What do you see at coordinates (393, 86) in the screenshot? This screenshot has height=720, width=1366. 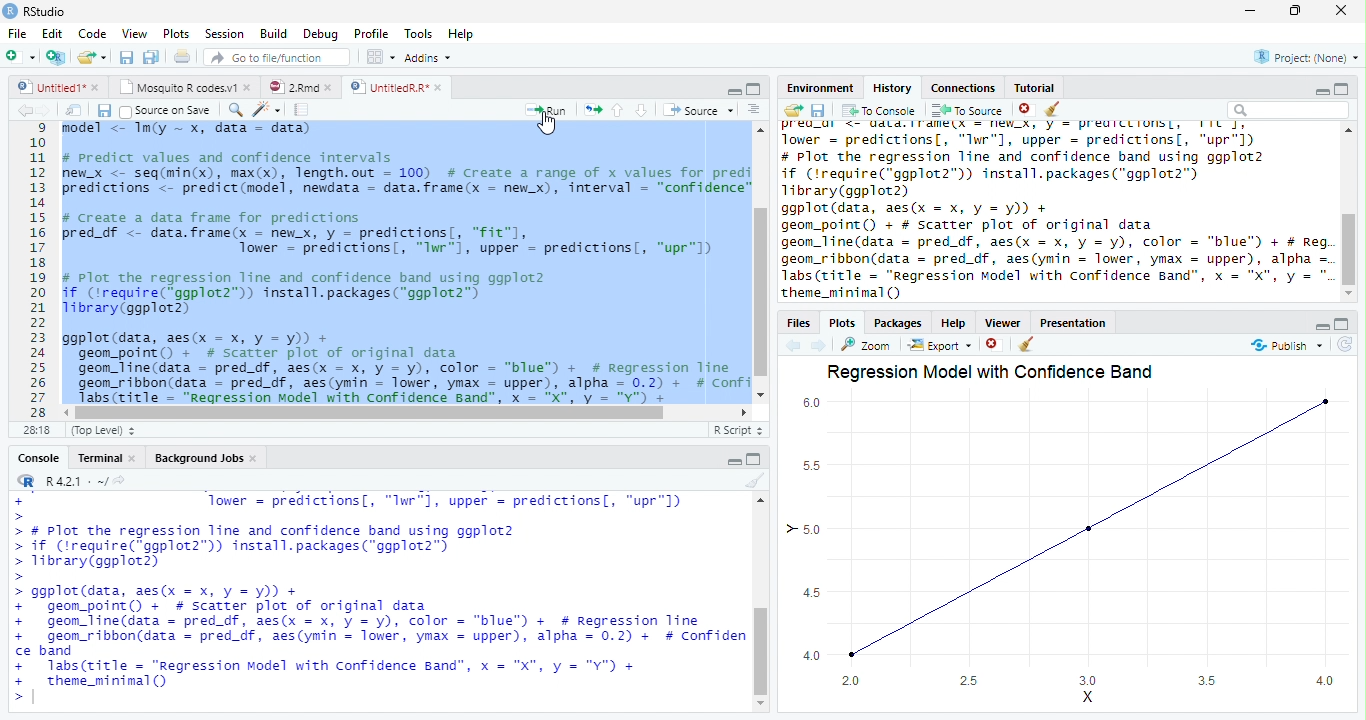 I see `Untitled R` at bounding box center [393, 86].